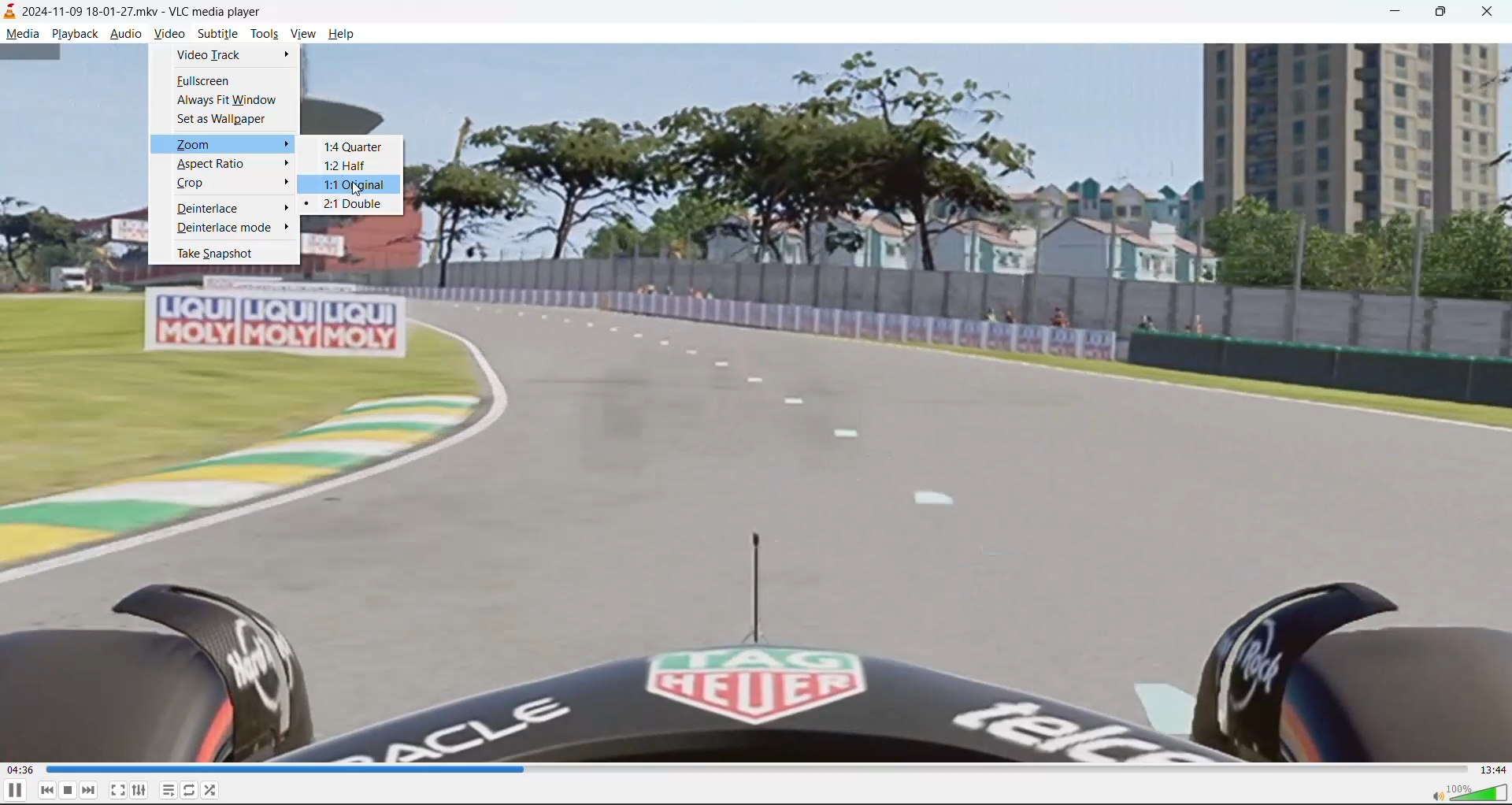  What do you see at coordinates (207, 82) in the screenshot?
I see `fullscreen` at bounding box center [207, 82].